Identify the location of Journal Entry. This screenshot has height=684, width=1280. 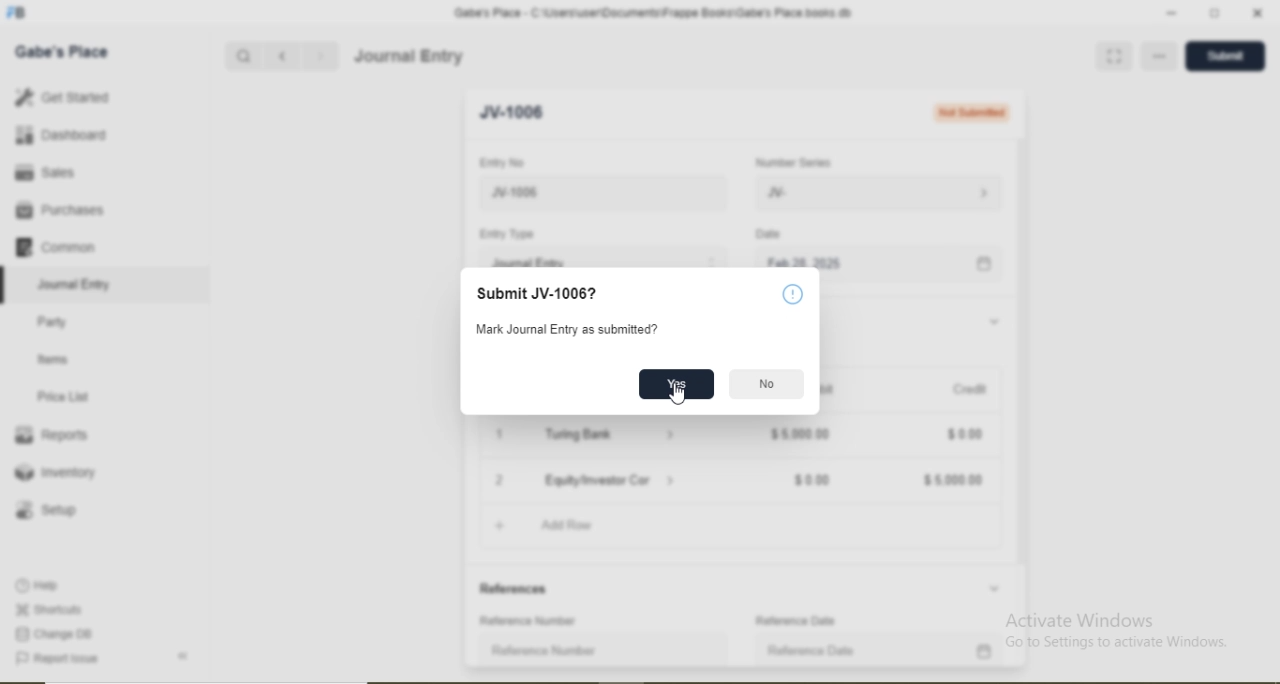
(76, 285).